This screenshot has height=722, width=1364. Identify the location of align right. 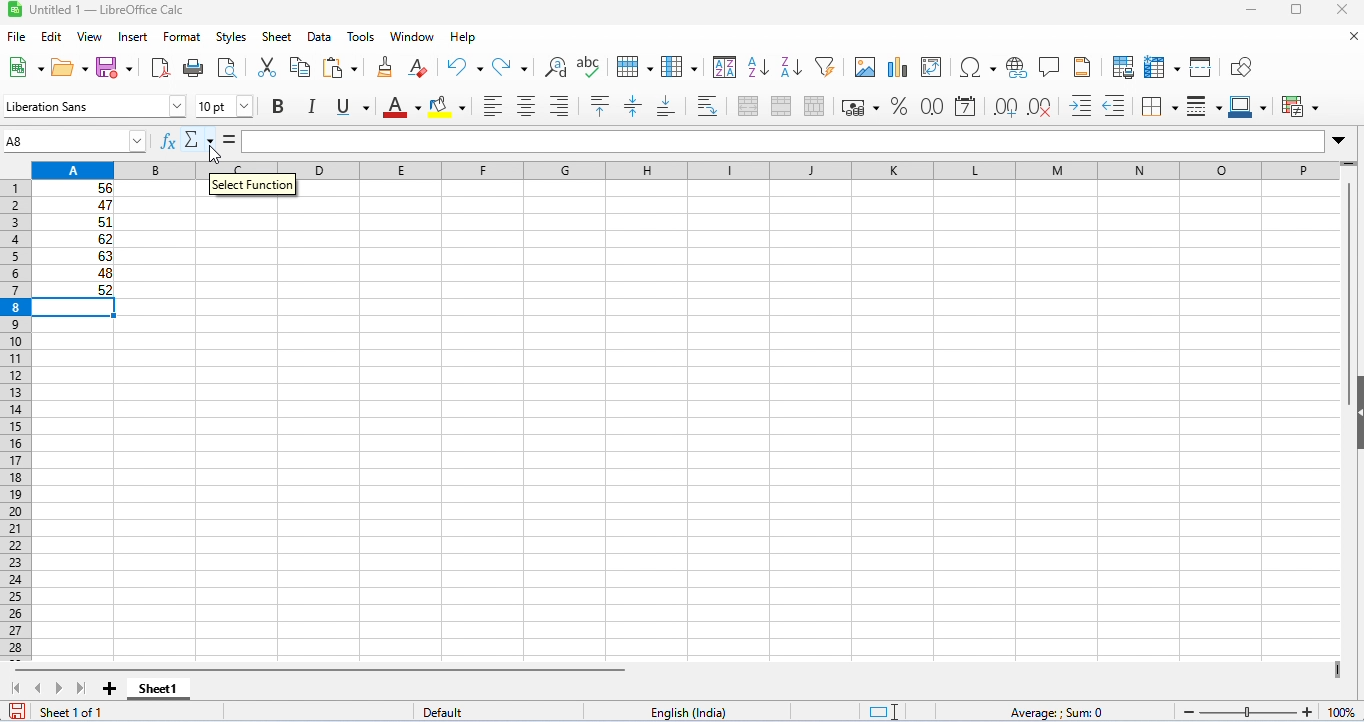
(559, 106).